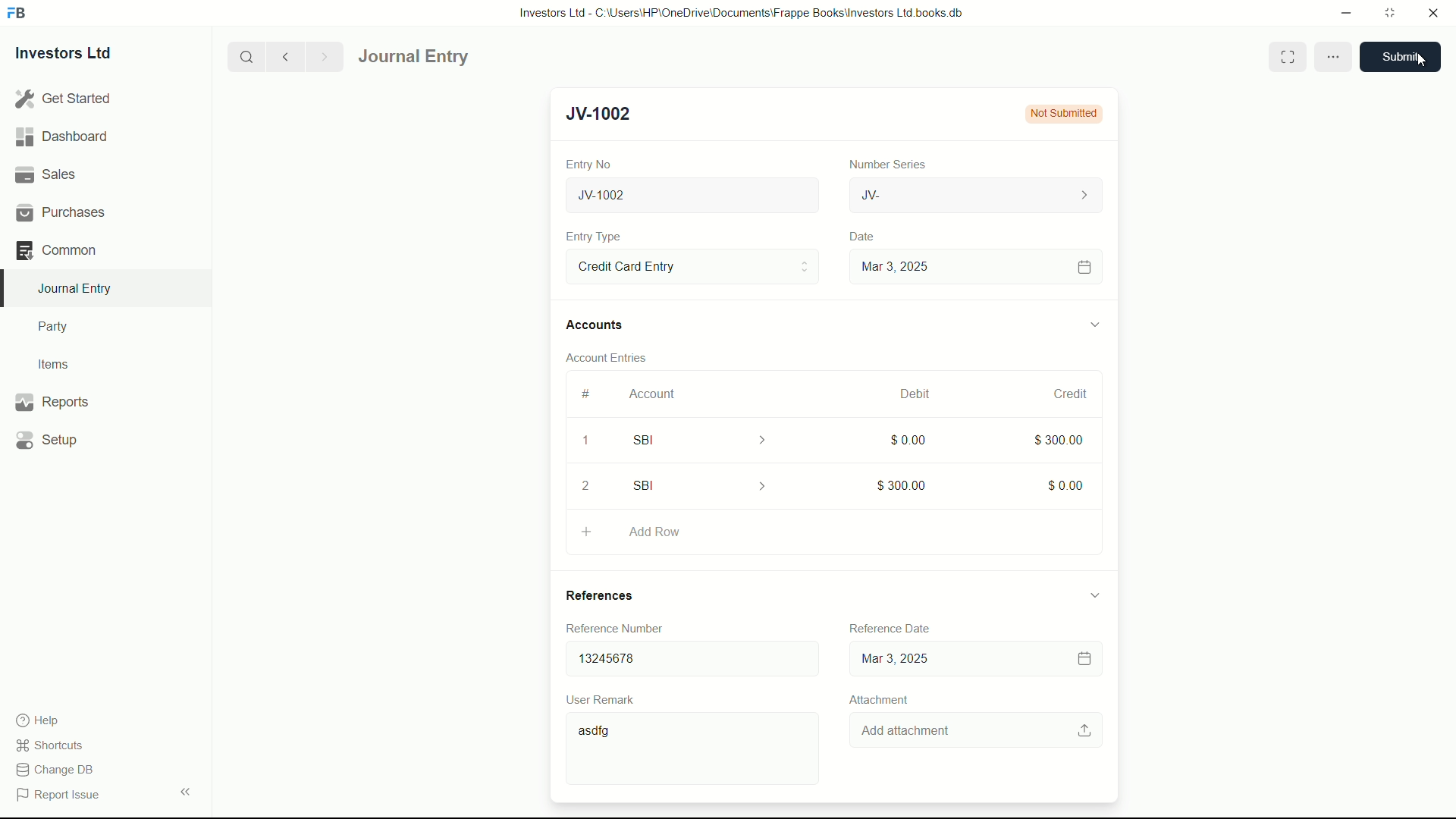  I want to click on $0.00, so click(905, 439).